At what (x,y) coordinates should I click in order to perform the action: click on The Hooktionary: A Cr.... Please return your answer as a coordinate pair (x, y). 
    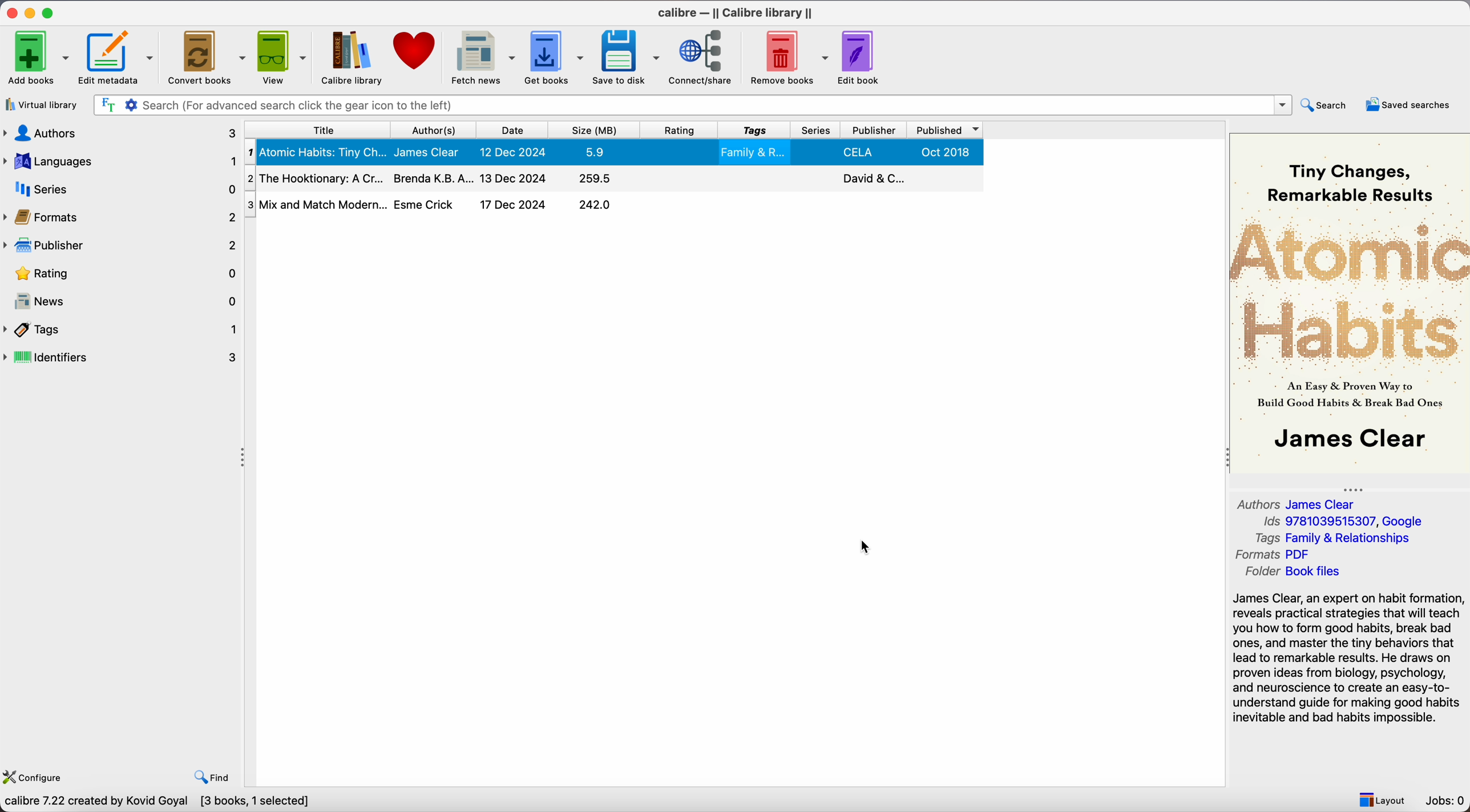
    Looking at the image, I should click on (315, 177).